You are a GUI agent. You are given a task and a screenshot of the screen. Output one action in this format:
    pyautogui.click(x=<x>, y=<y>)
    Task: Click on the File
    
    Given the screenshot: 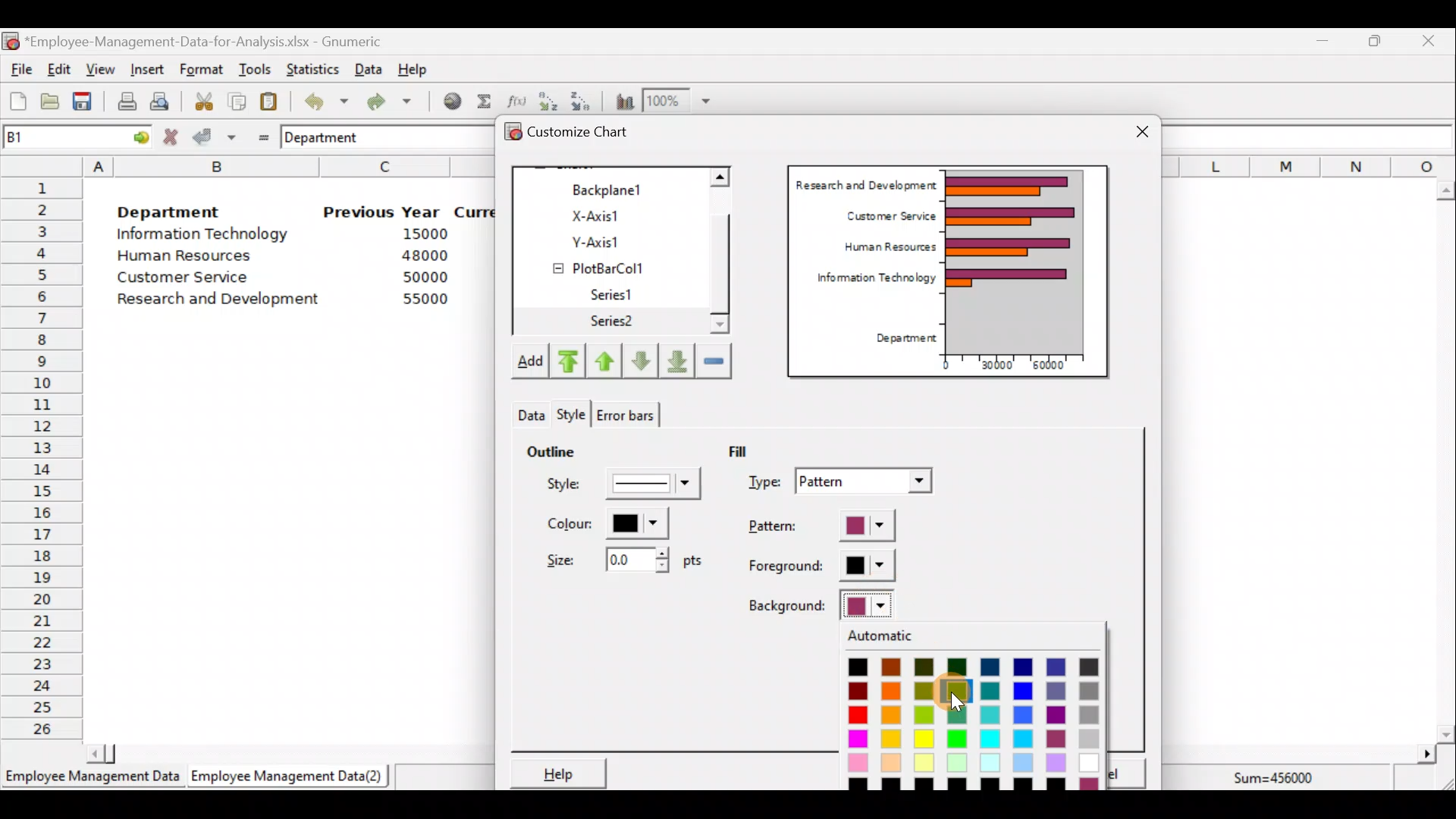 What is the action you would take?
    pyautogui.click(x=19, y=70)
    